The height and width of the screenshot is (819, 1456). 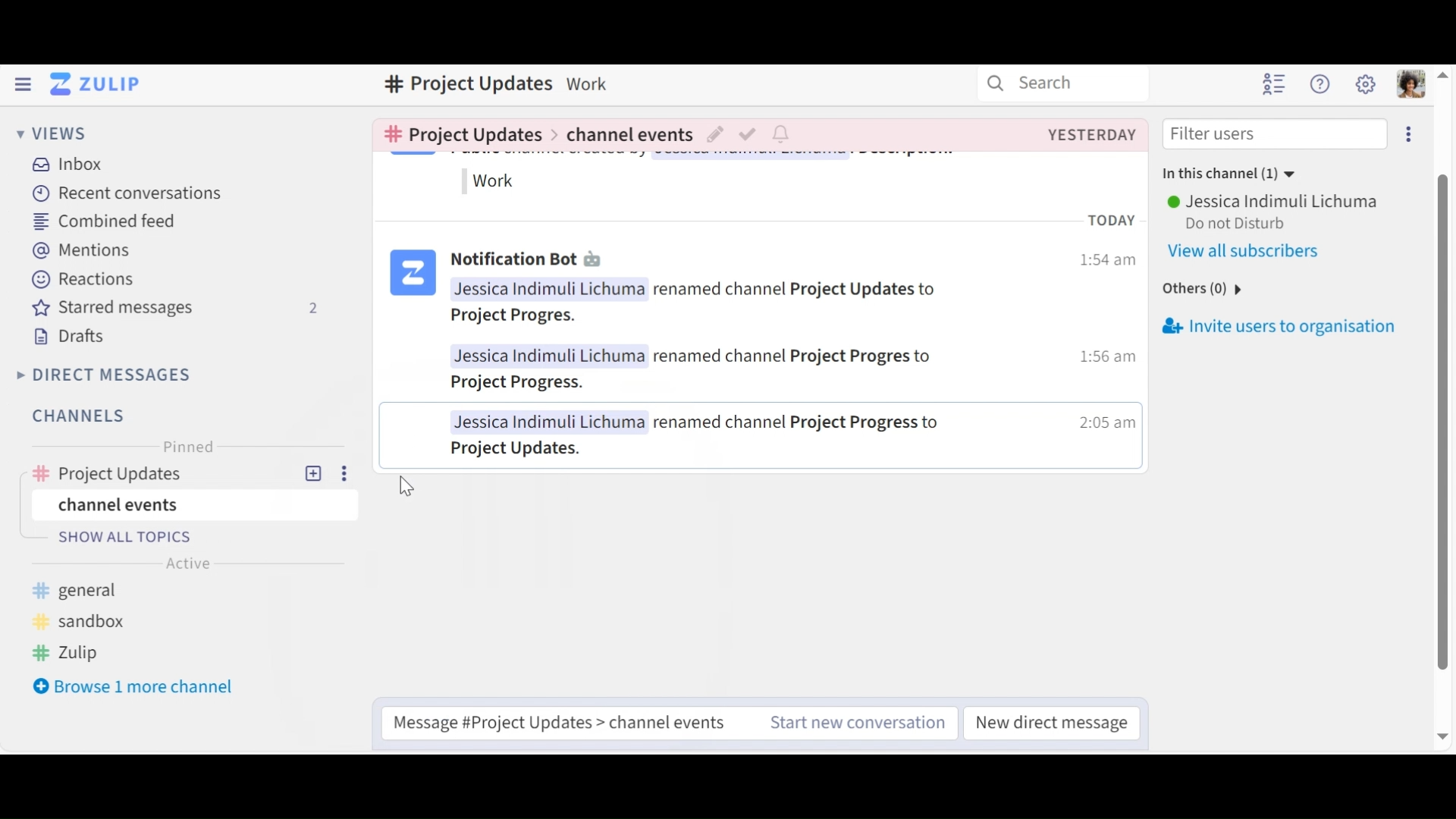 I want to click on Reactions, so click(x=83, y=278).